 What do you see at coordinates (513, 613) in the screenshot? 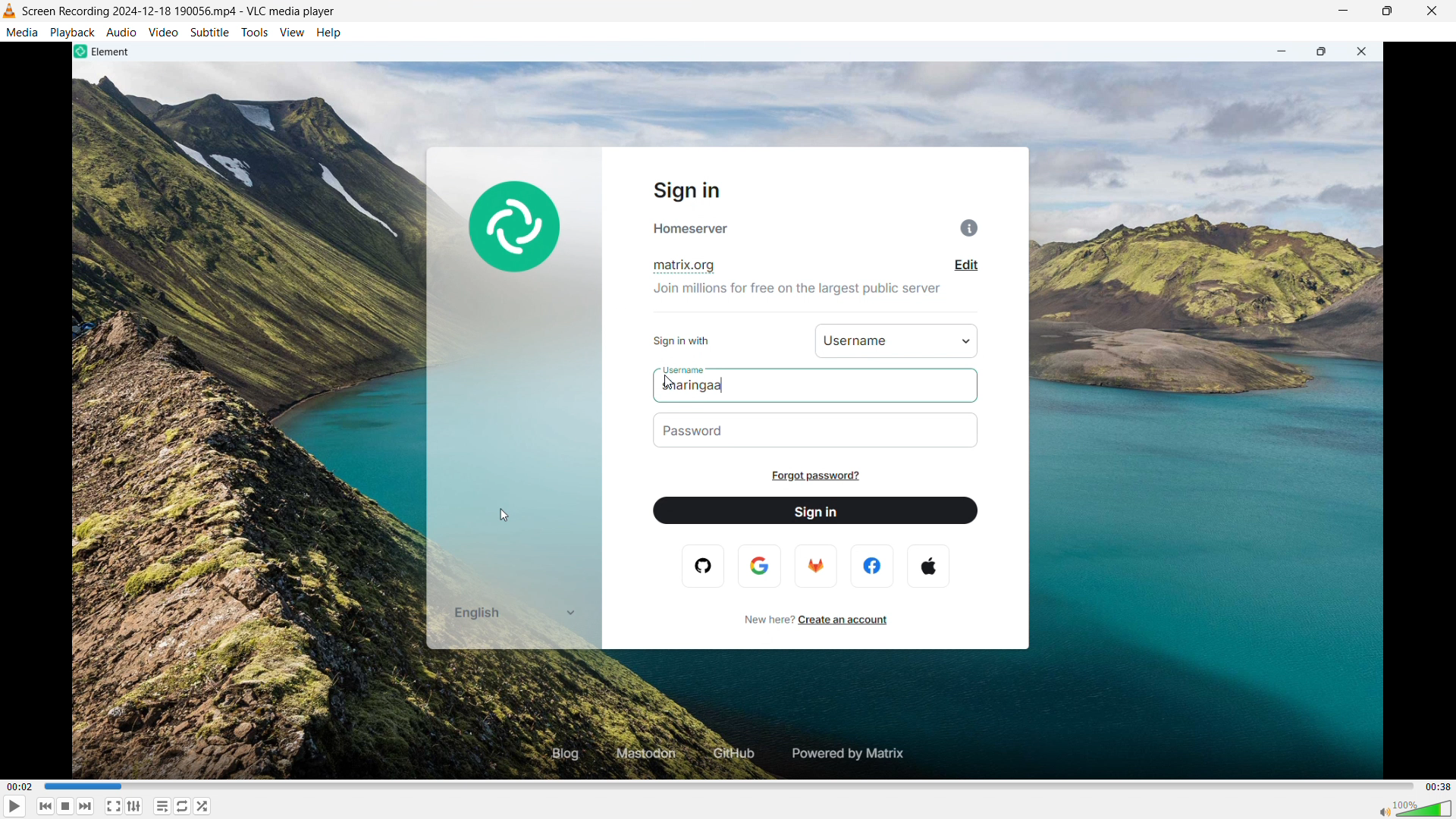
I see `english` at bounding box center [513, 613].